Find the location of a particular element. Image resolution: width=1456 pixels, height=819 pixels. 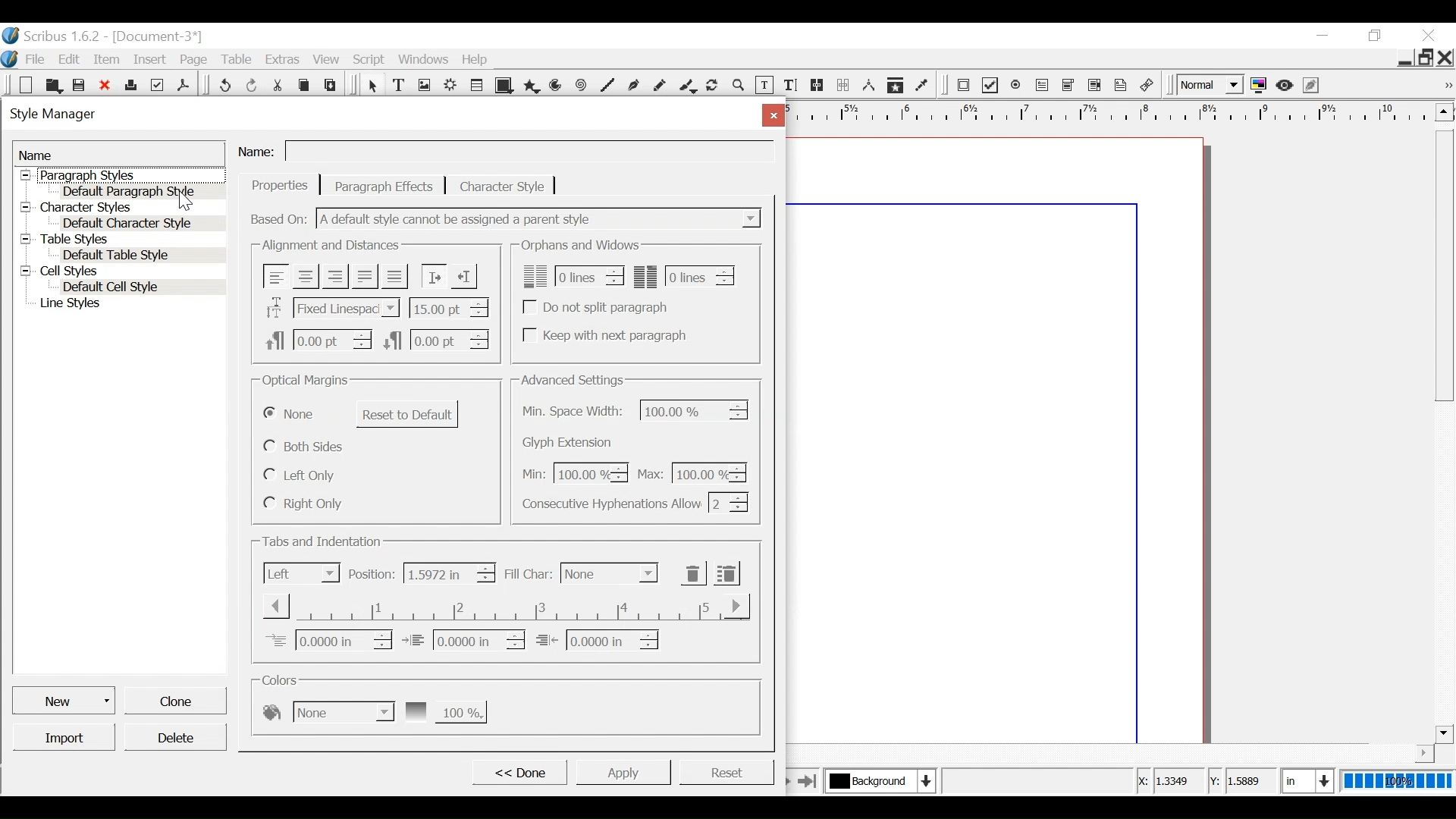

Close is located at coordinates (1446, 57).